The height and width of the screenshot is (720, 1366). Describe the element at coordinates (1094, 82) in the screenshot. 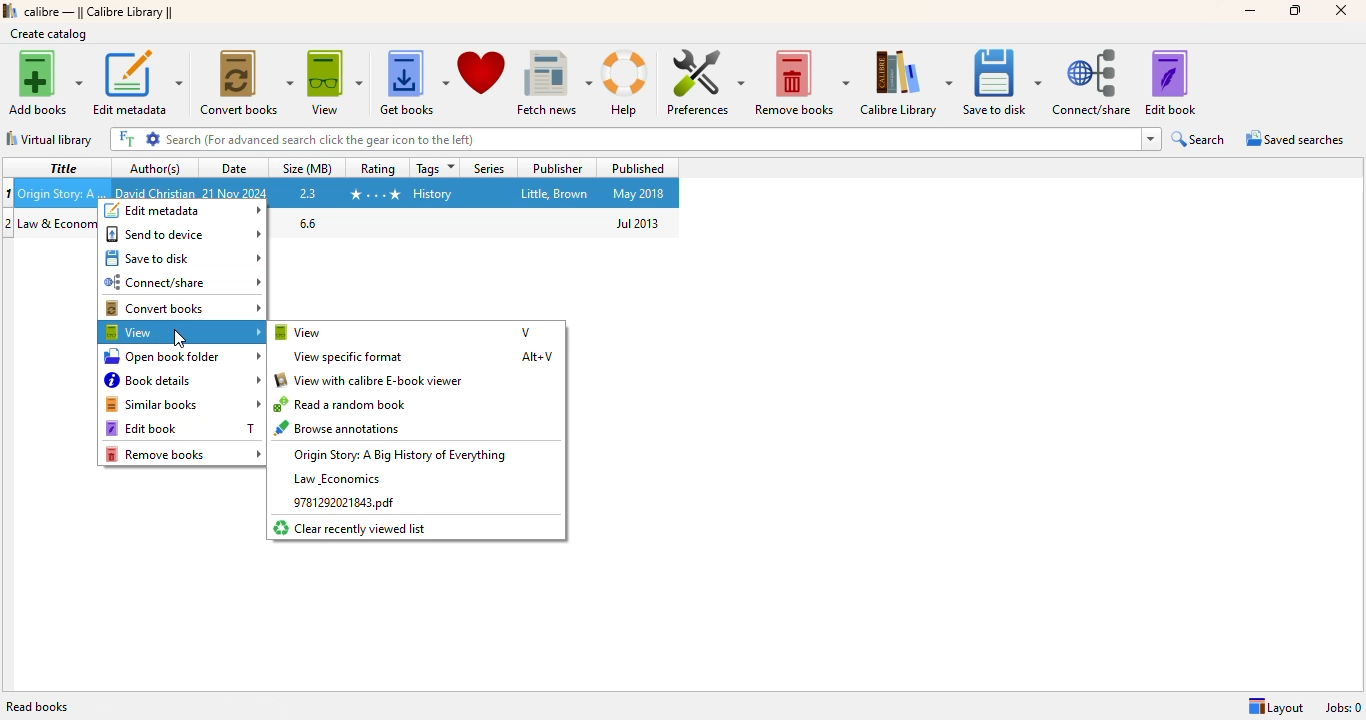

I see `connect/share` at that location.